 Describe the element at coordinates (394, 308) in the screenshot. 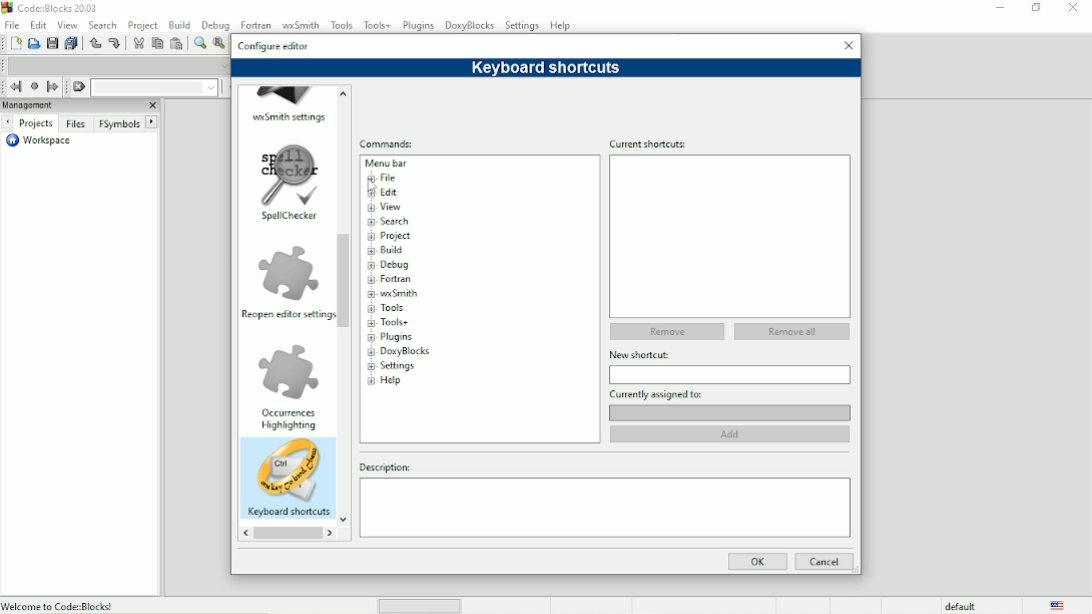

I see `Tools` at that location.